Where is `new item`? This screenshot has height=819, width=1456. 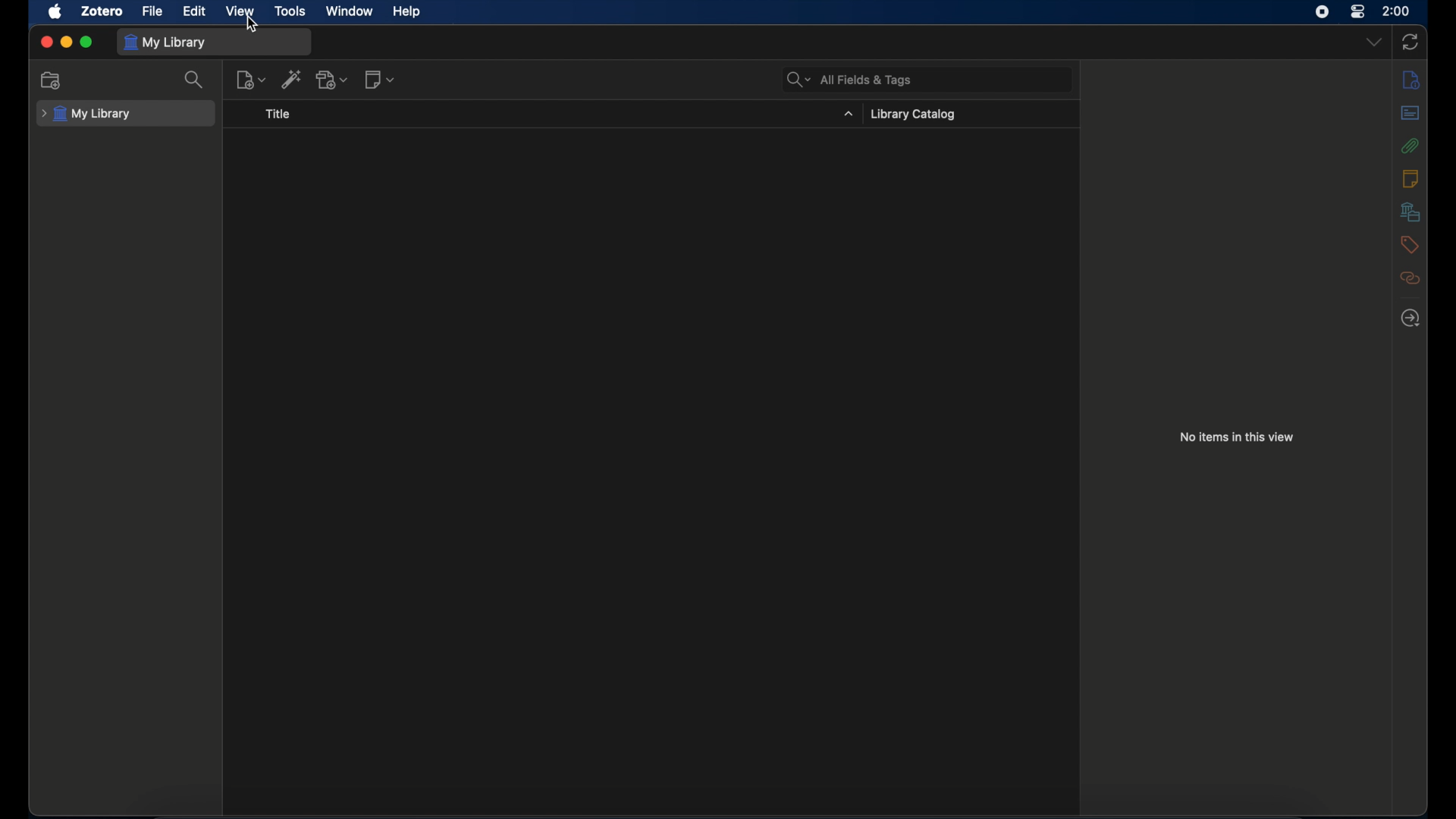
new item is located at coordinates (251, 78).